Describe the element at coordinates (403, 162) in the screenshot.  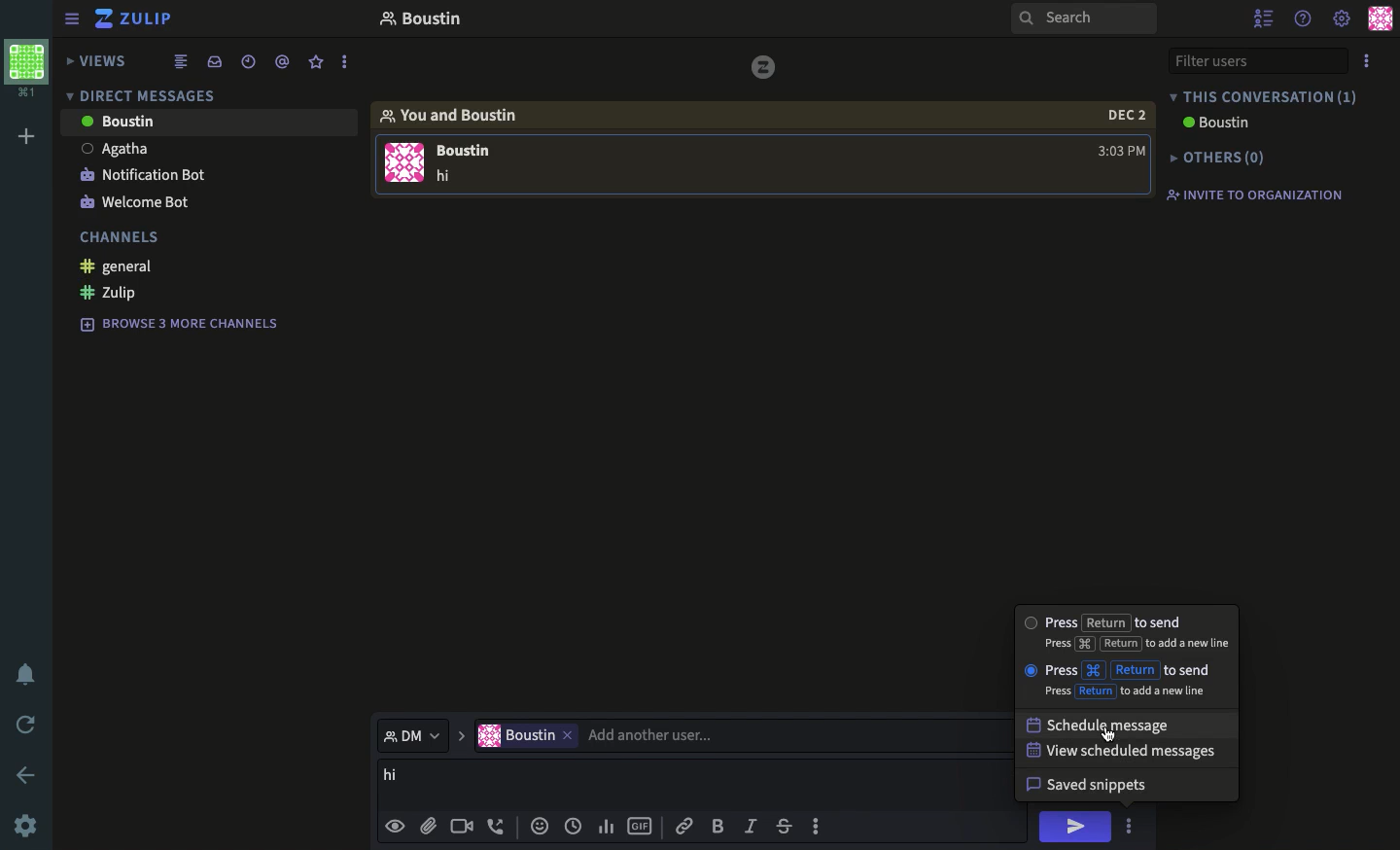
I see `user profile` at that location.